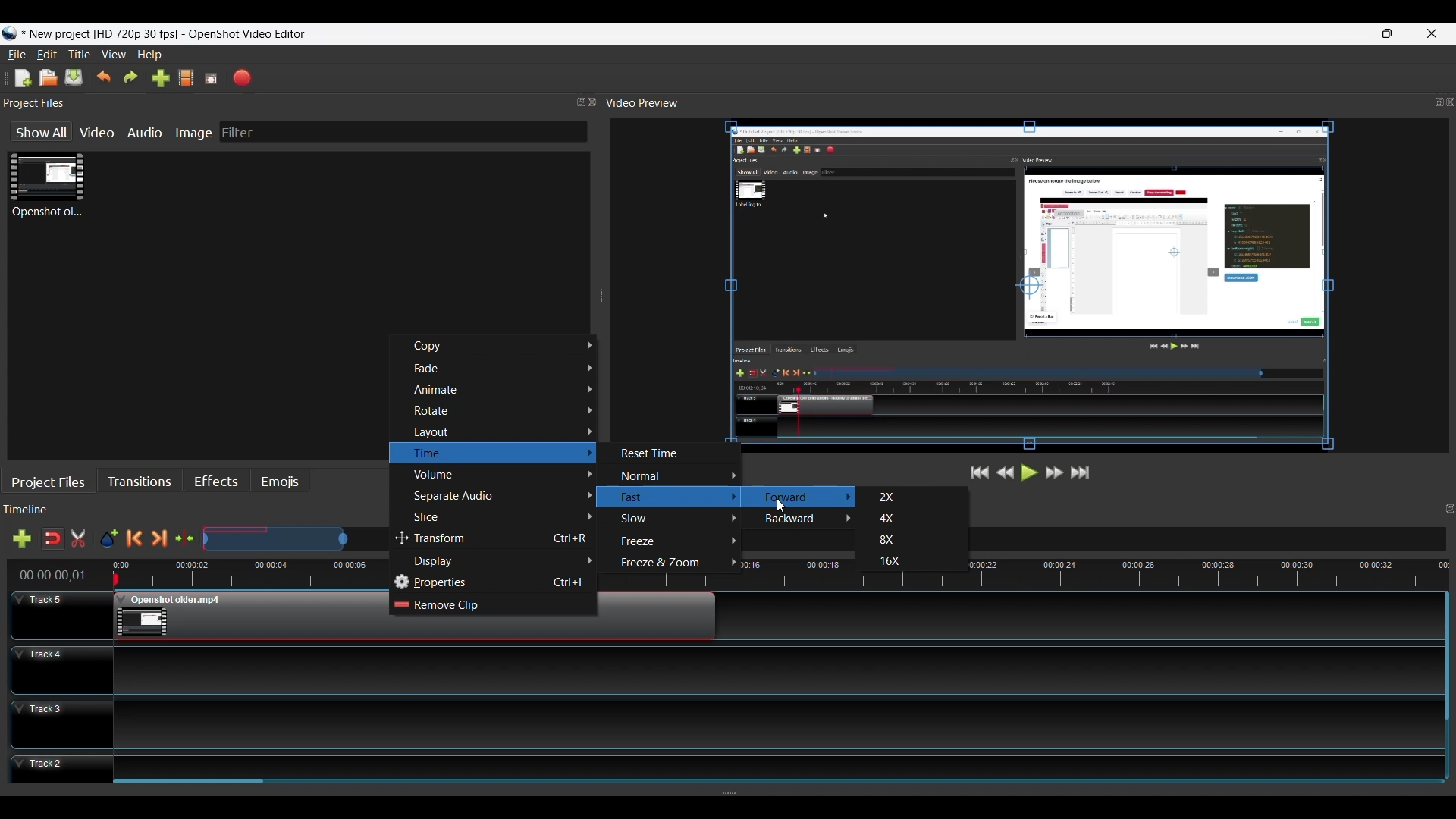  Describe the element at coordinates (185, 539) in the screenshot. I see `Center te timeline at the playhead` at that location.